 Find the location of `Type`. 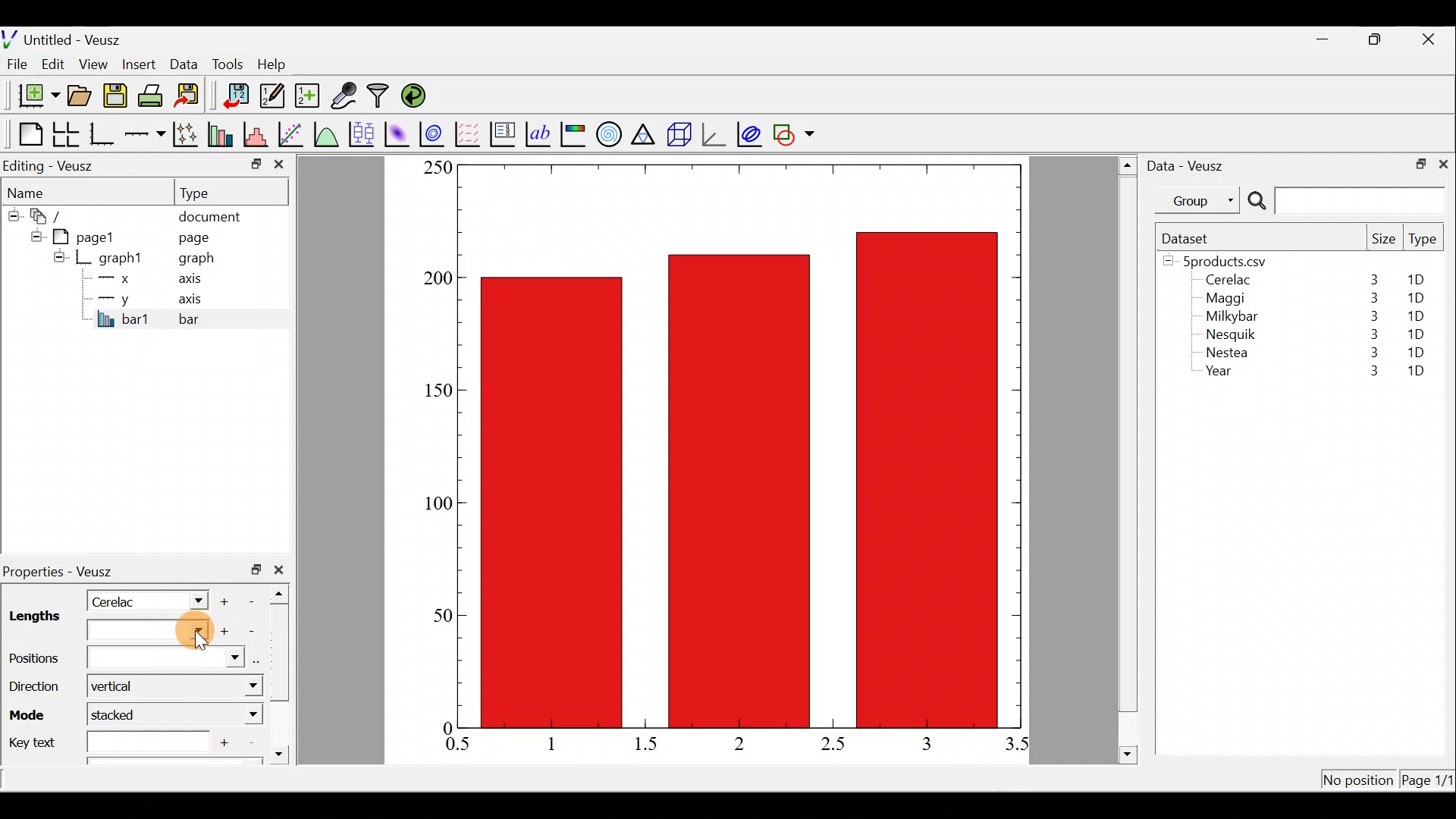

Type is located at coordinates (1424, 243).